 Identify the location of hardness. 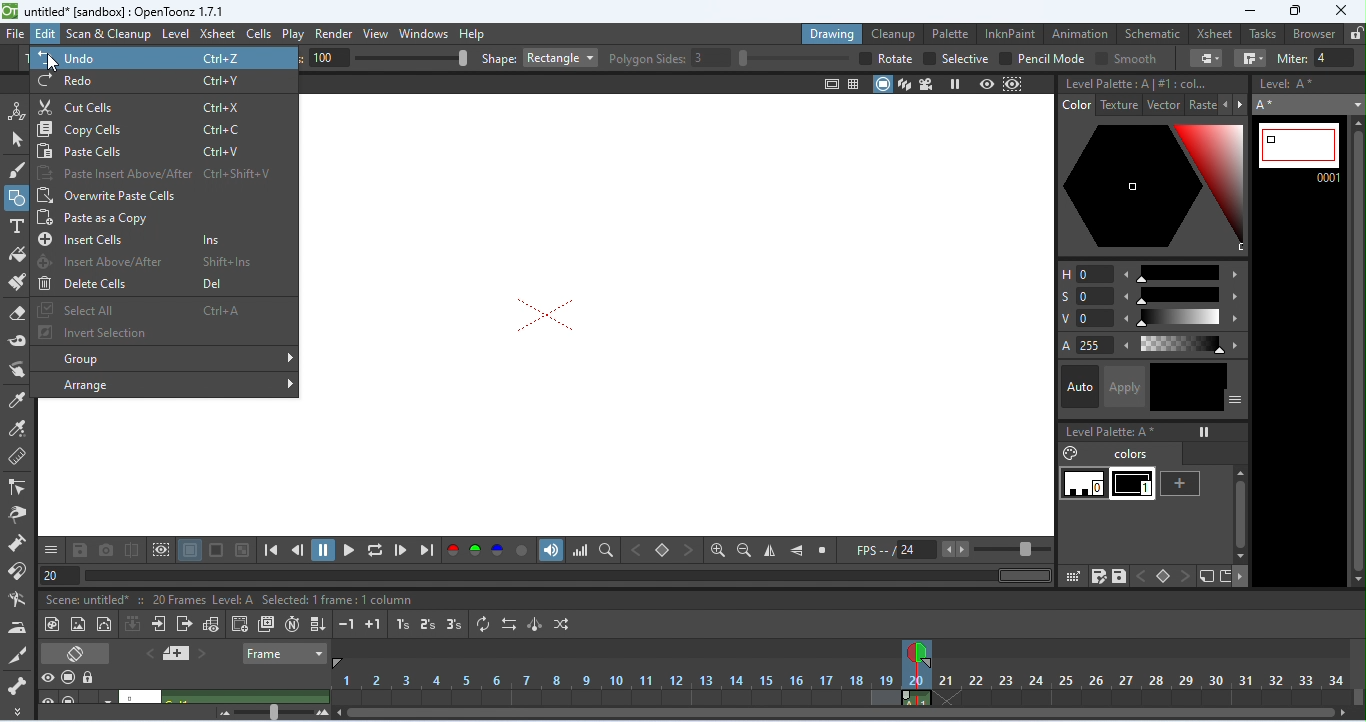
(387, 58).